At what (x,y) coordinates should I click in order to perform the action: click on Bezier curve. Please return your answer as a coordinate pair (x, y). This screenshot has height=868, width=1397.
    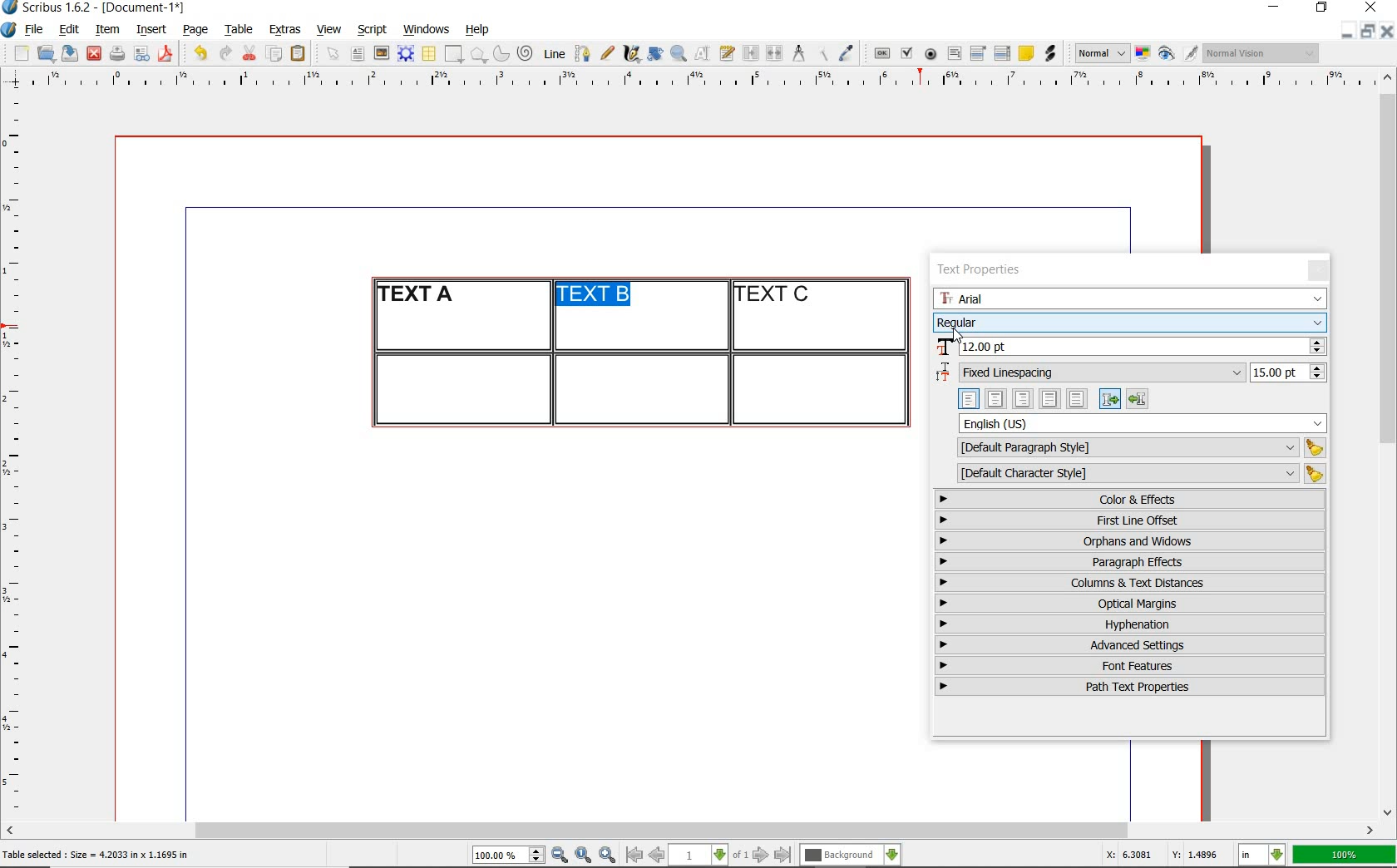
    Looking at the image, I should click on (581, 53).